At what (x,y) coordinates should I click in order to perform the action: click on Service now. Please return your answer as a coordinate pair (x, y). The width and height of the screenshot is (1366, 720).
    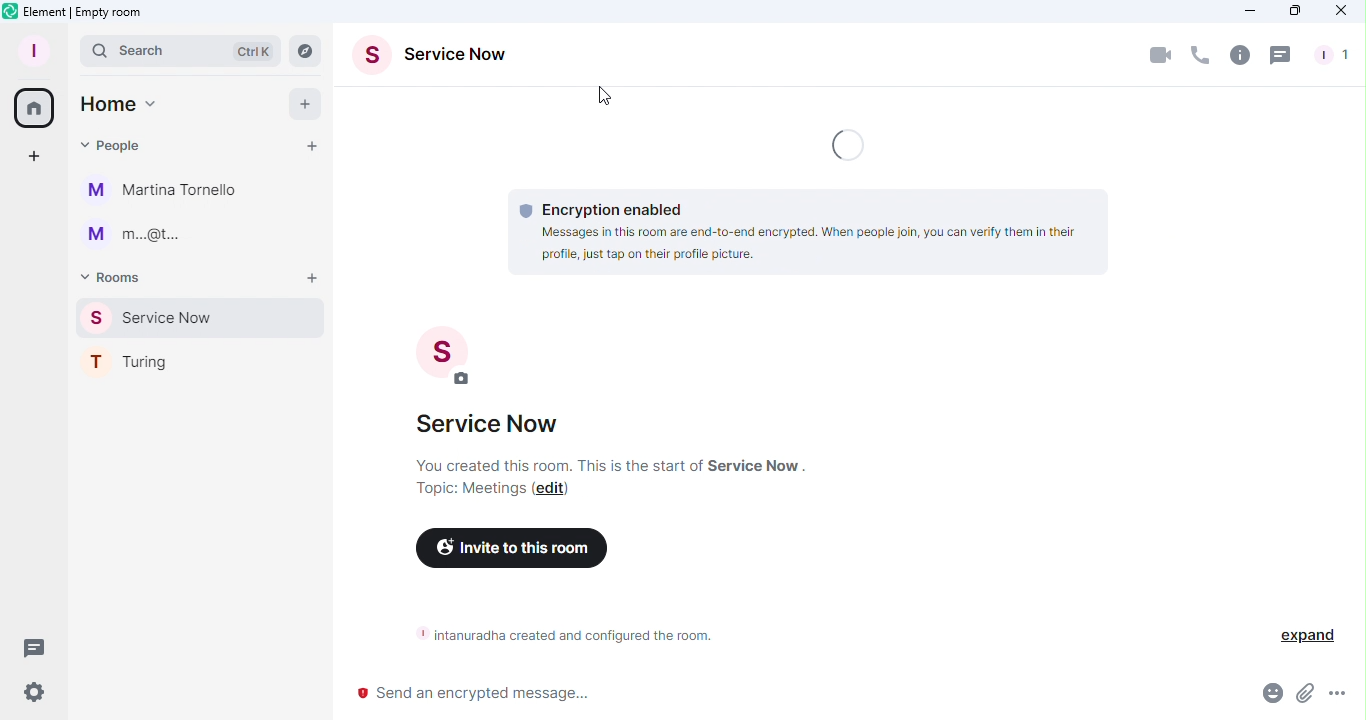
    Looking at the image, I should click on (203, 317).